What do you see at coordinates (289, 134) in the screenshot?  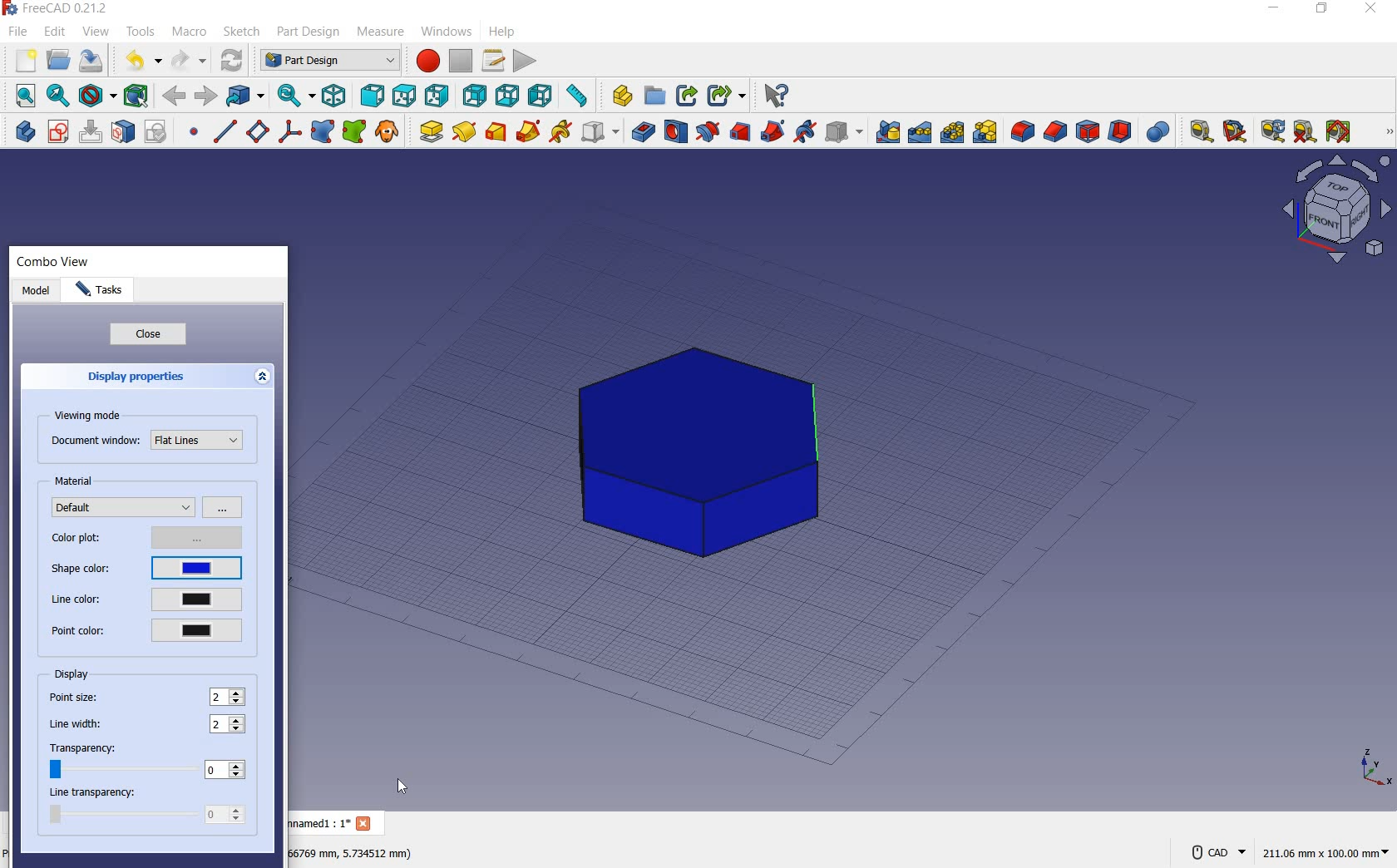 I see `create a local coordinate system` at bounding box center [289, 134].